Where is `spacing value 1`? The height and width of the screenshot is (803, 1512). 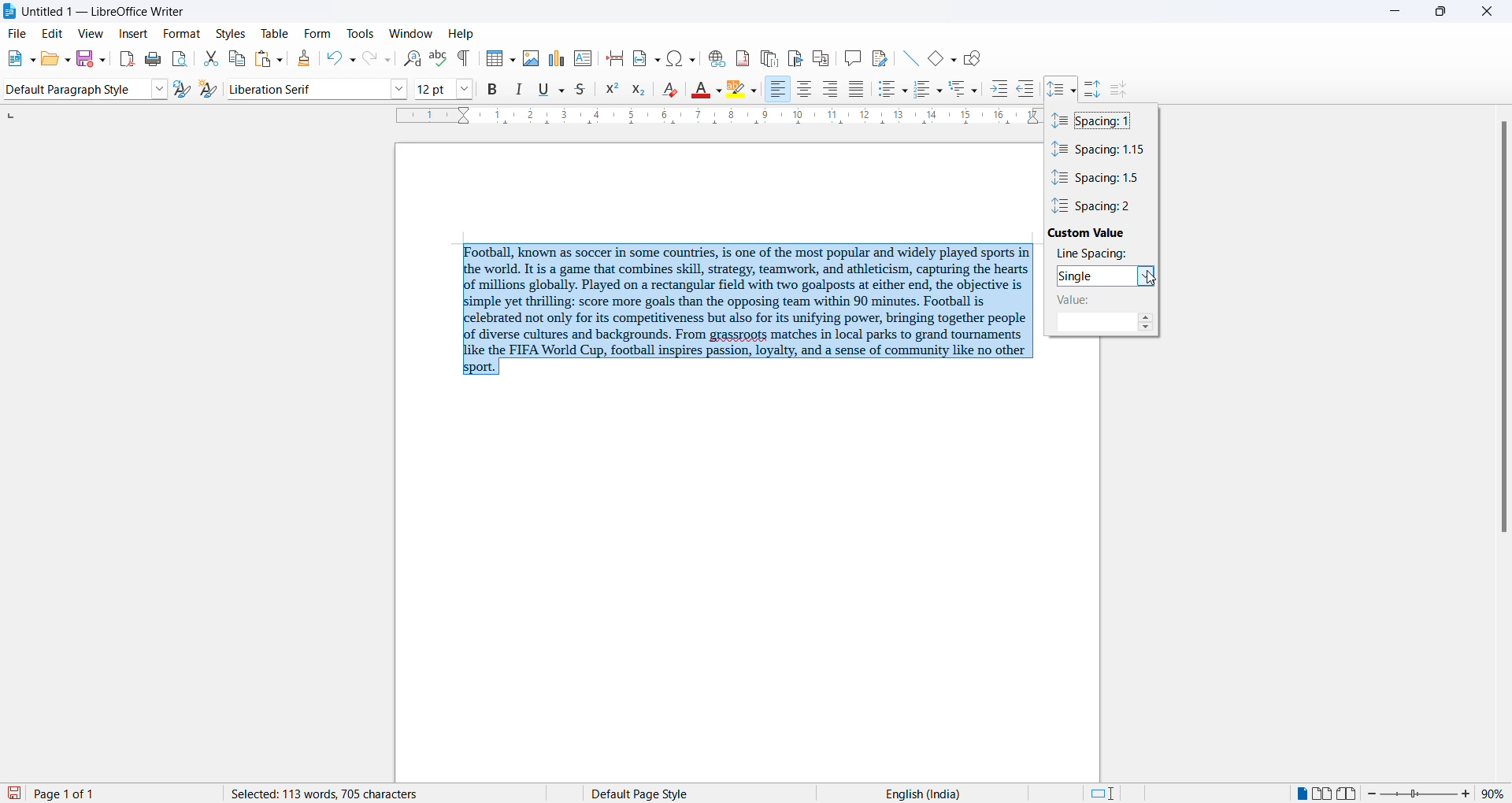
spacing value 1 is located at coordinates (1100, 120).